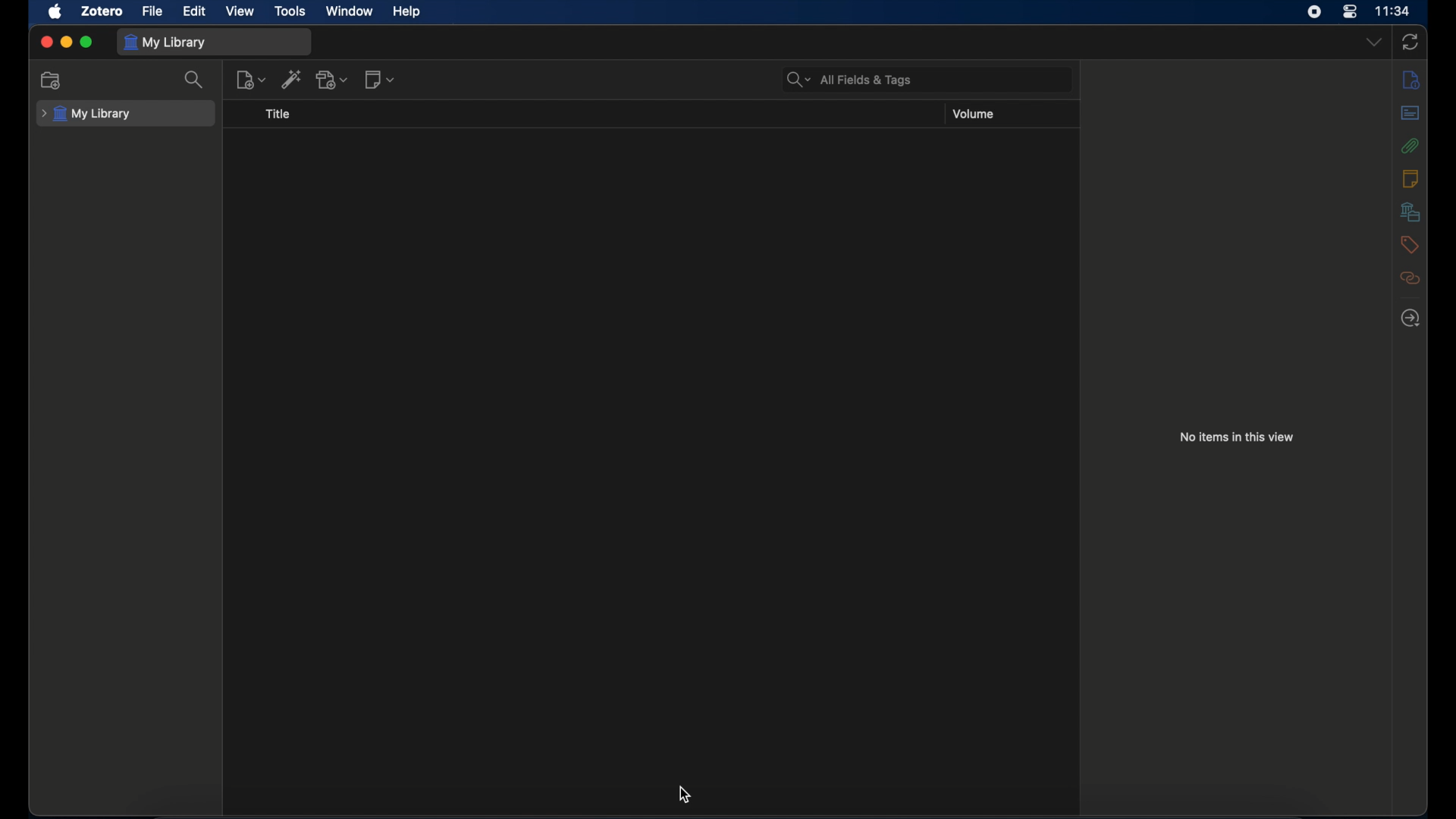  What do you see at coordinates (849, 79) in the screenshot?
I see `search bar` at bounding box center [849, 79].